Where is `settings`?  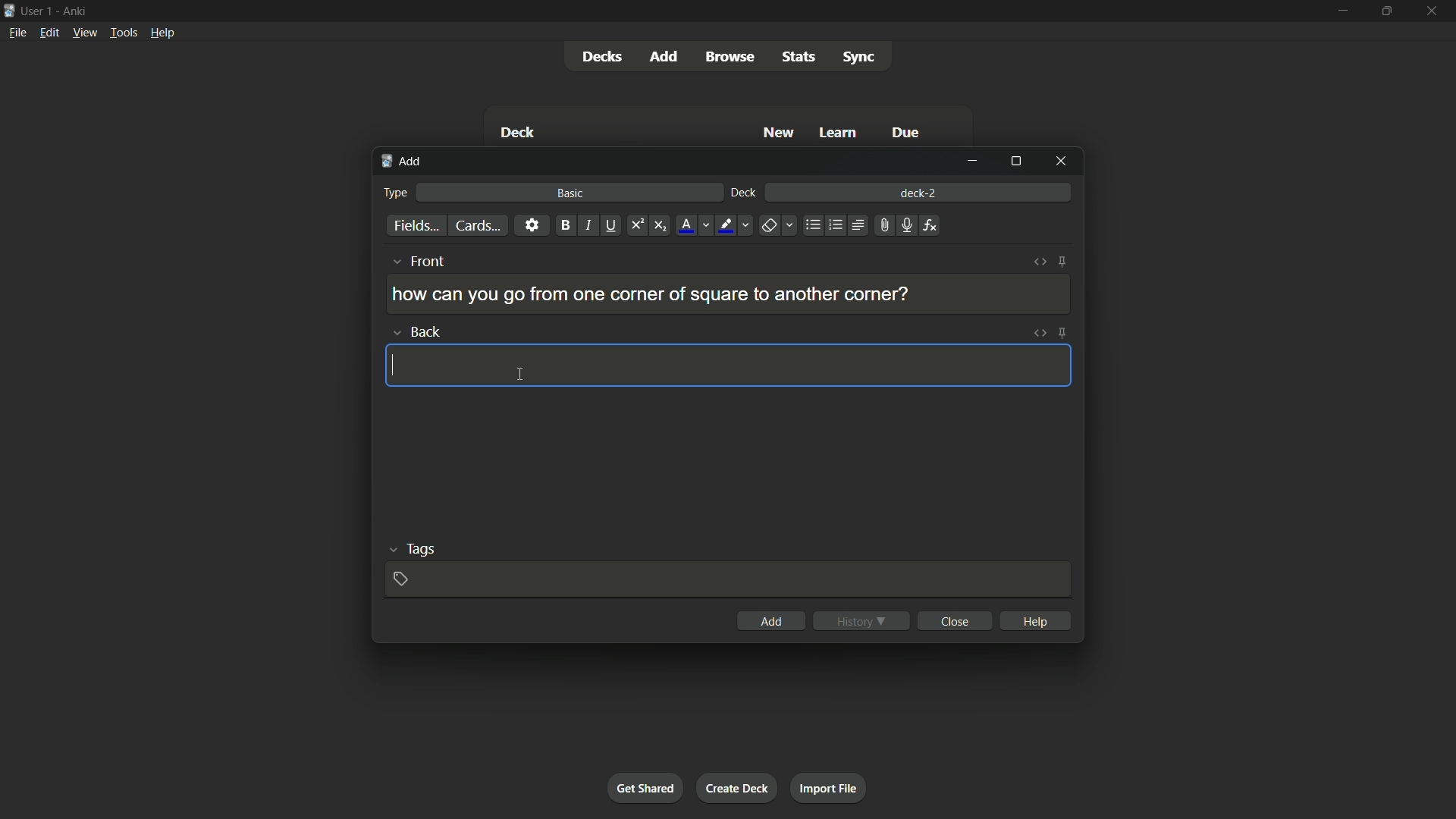 settings is located at coordinates (532, 226).